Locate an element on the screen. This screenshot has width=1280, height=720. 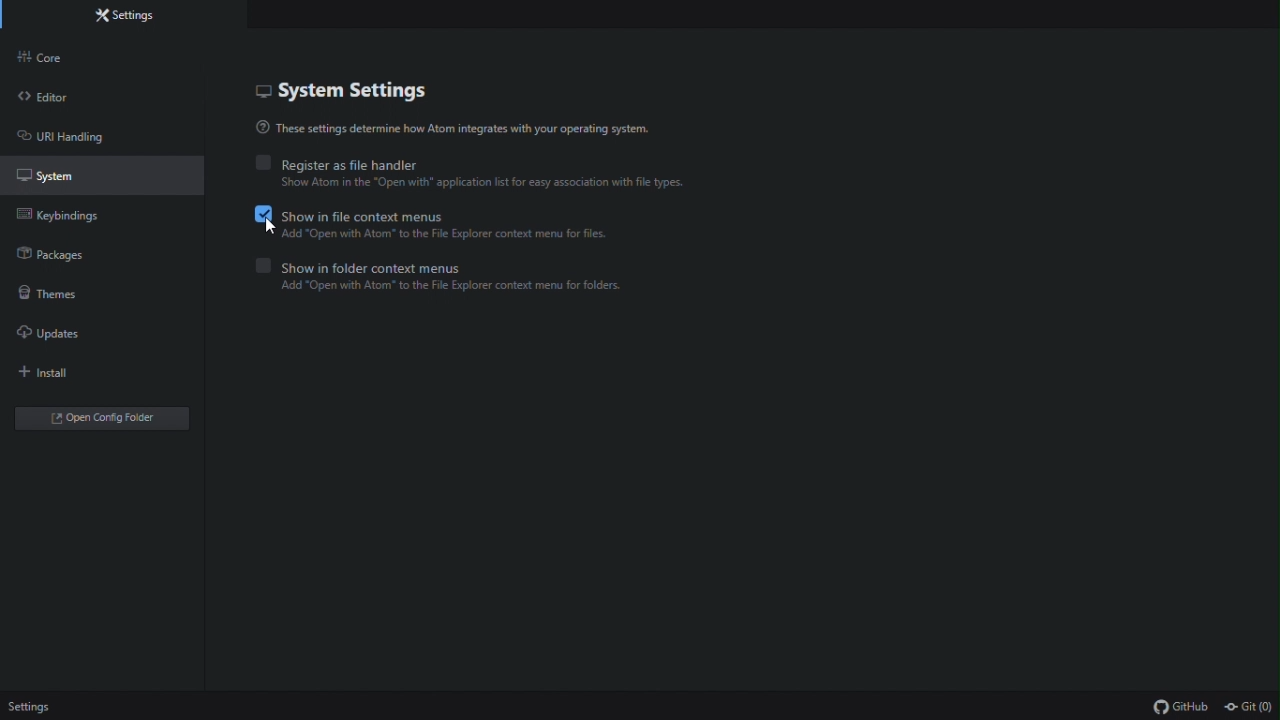
 These settings determine how Atom integrates with your operating system. is located at coordinates (455, 129).